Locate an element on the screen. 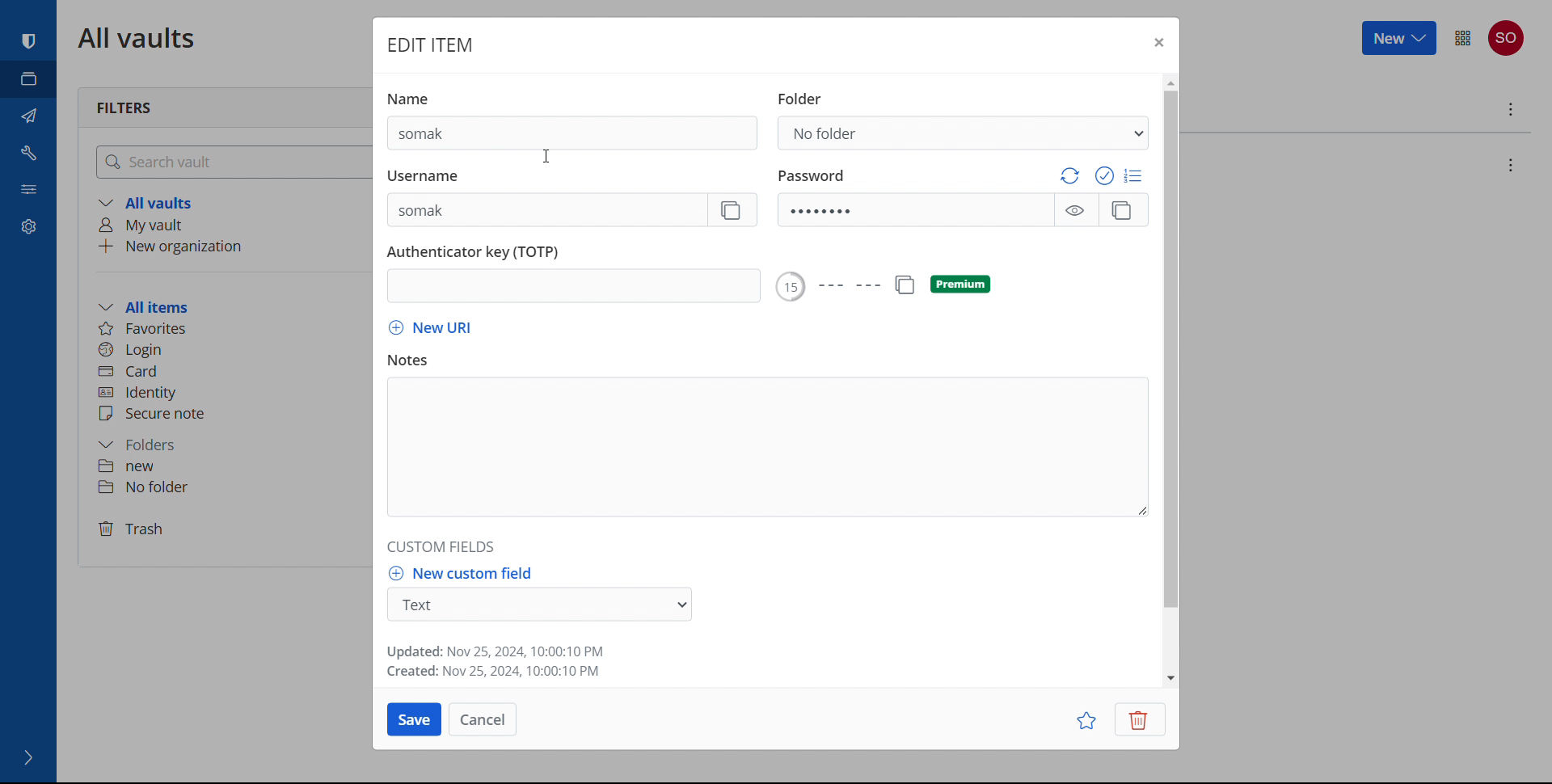  username is located at coordinates (546, 211).